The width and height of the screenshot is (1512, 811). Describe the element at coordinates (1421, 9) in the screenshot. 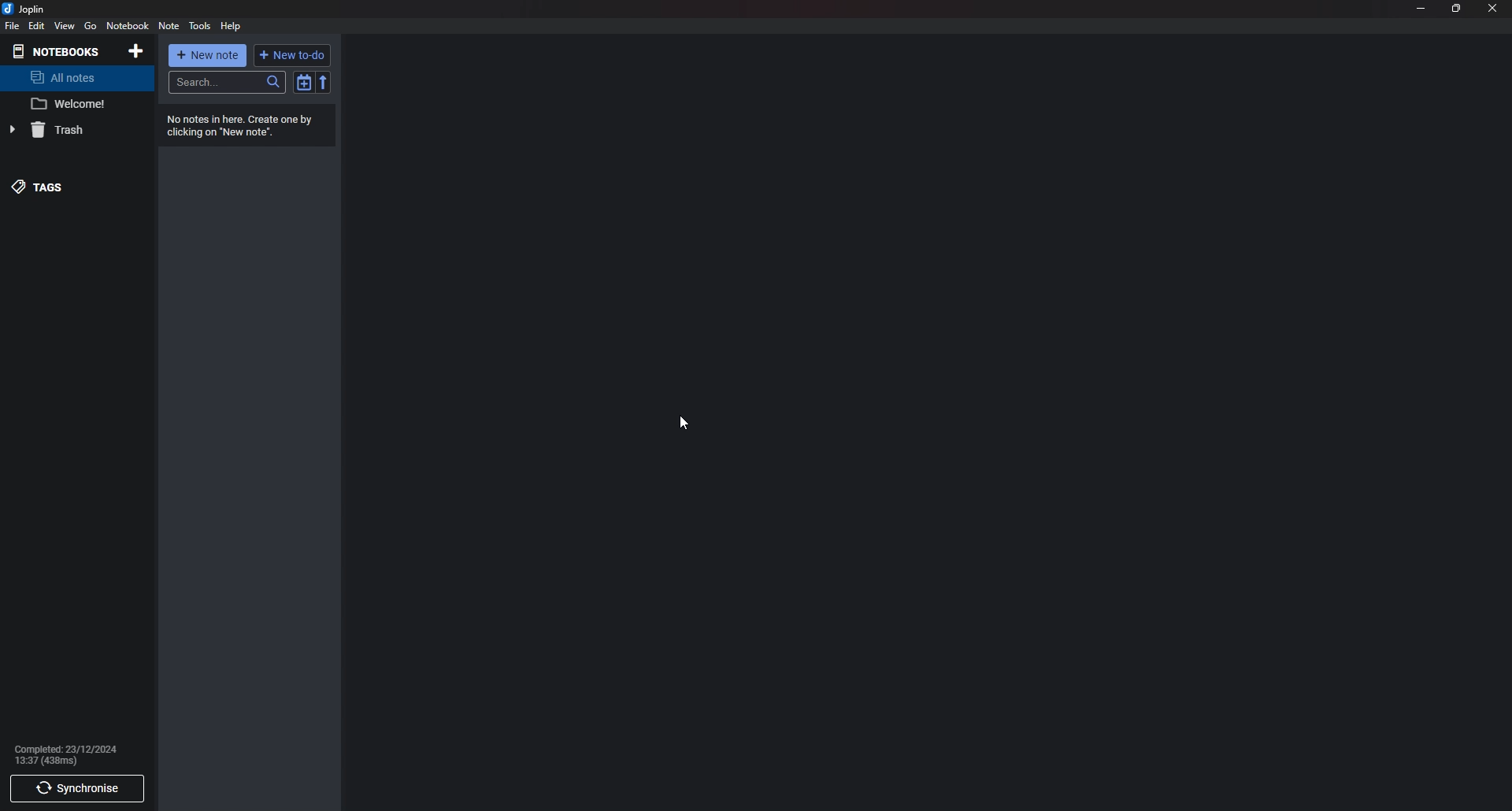

I see `Minimize` at that location.